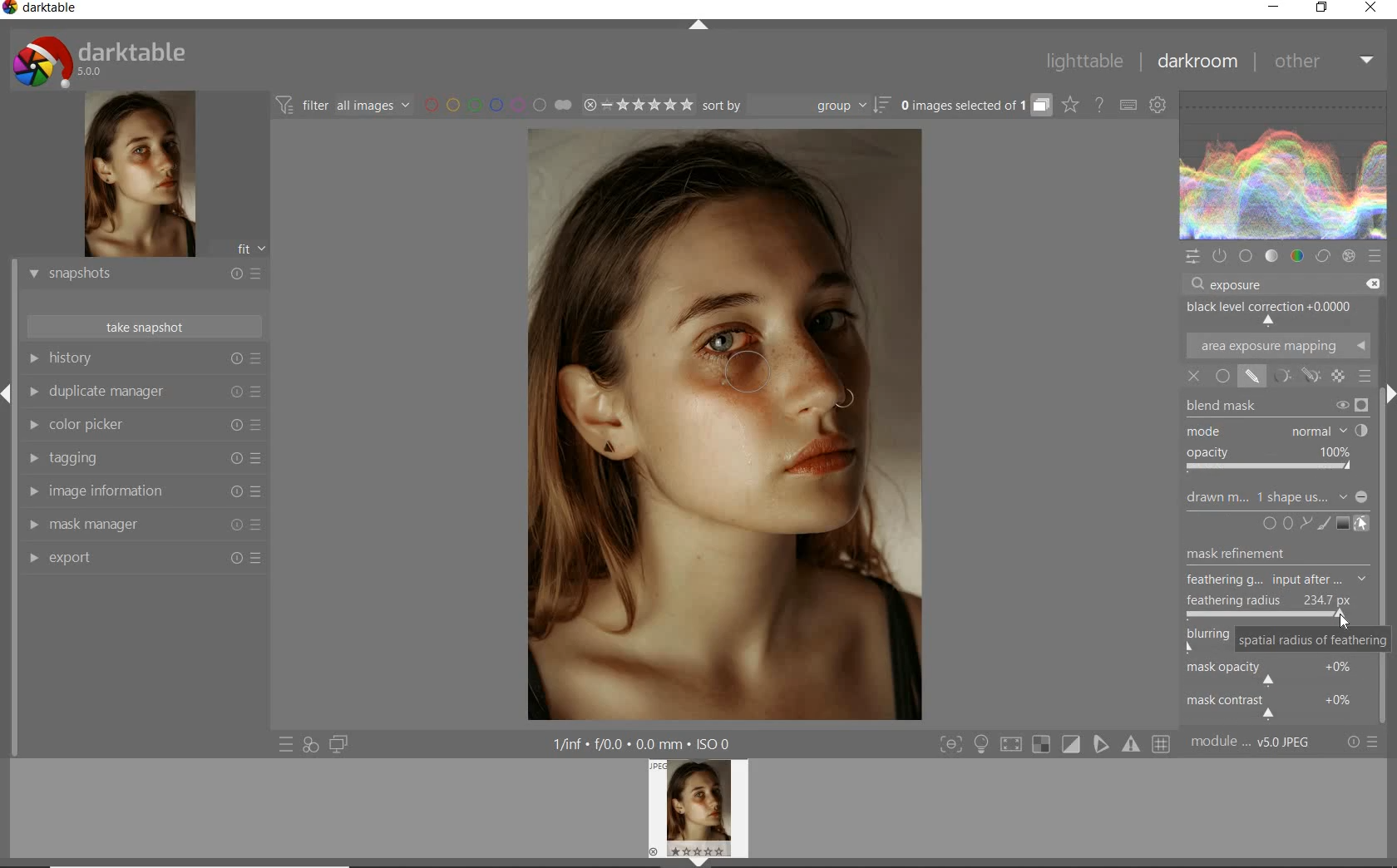 Image resolution: width=1397 pixels, height=868 pixels. I want to click on base, so click(1246, 256).